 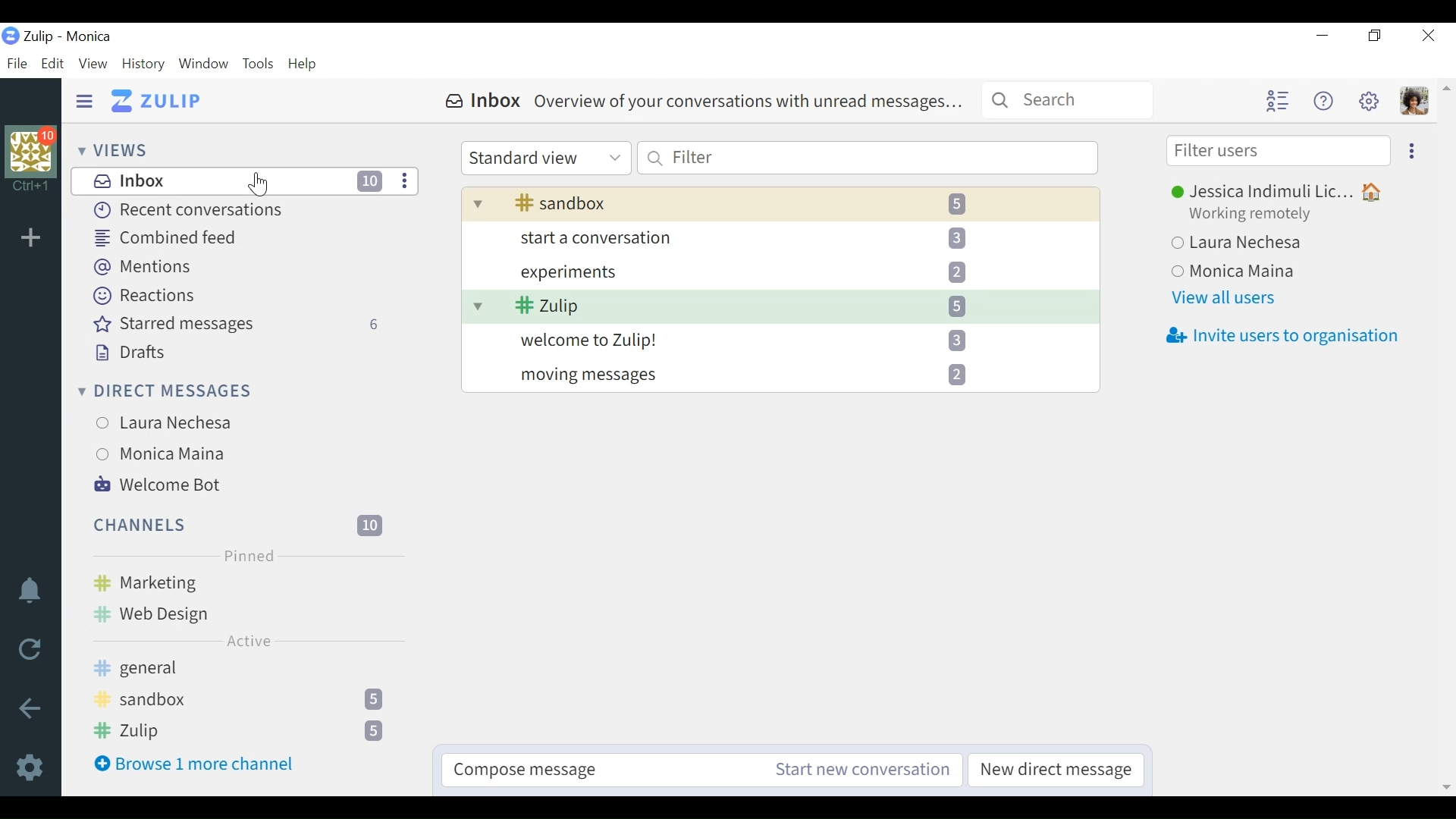 What do you see at coordinates (156, 99) in the screenshot?
I see `Go to Home View` at bounding box center [156, 99].